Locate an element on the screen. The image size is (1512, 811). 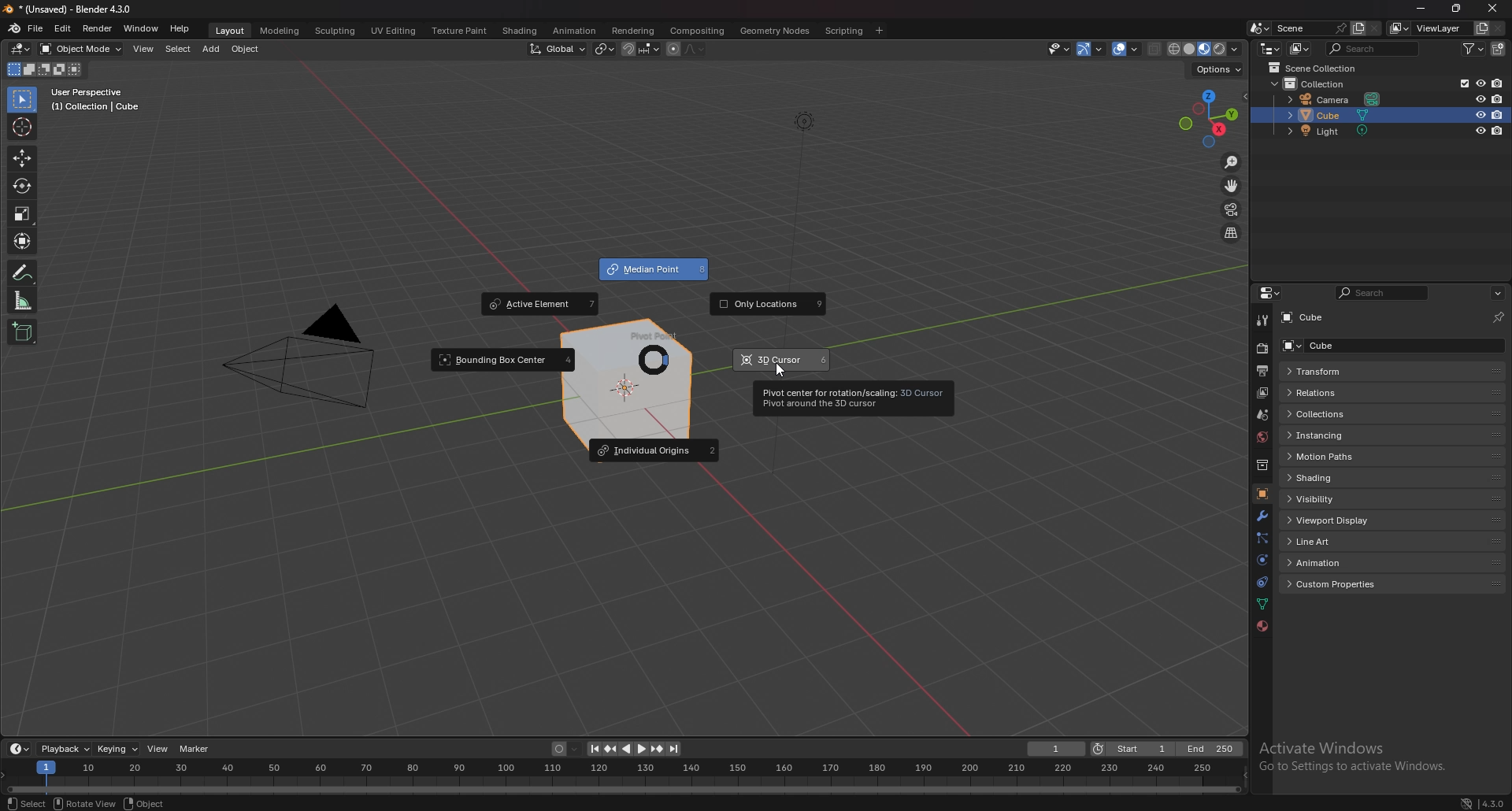
disable in renders is located at coordinates (1499, 131).